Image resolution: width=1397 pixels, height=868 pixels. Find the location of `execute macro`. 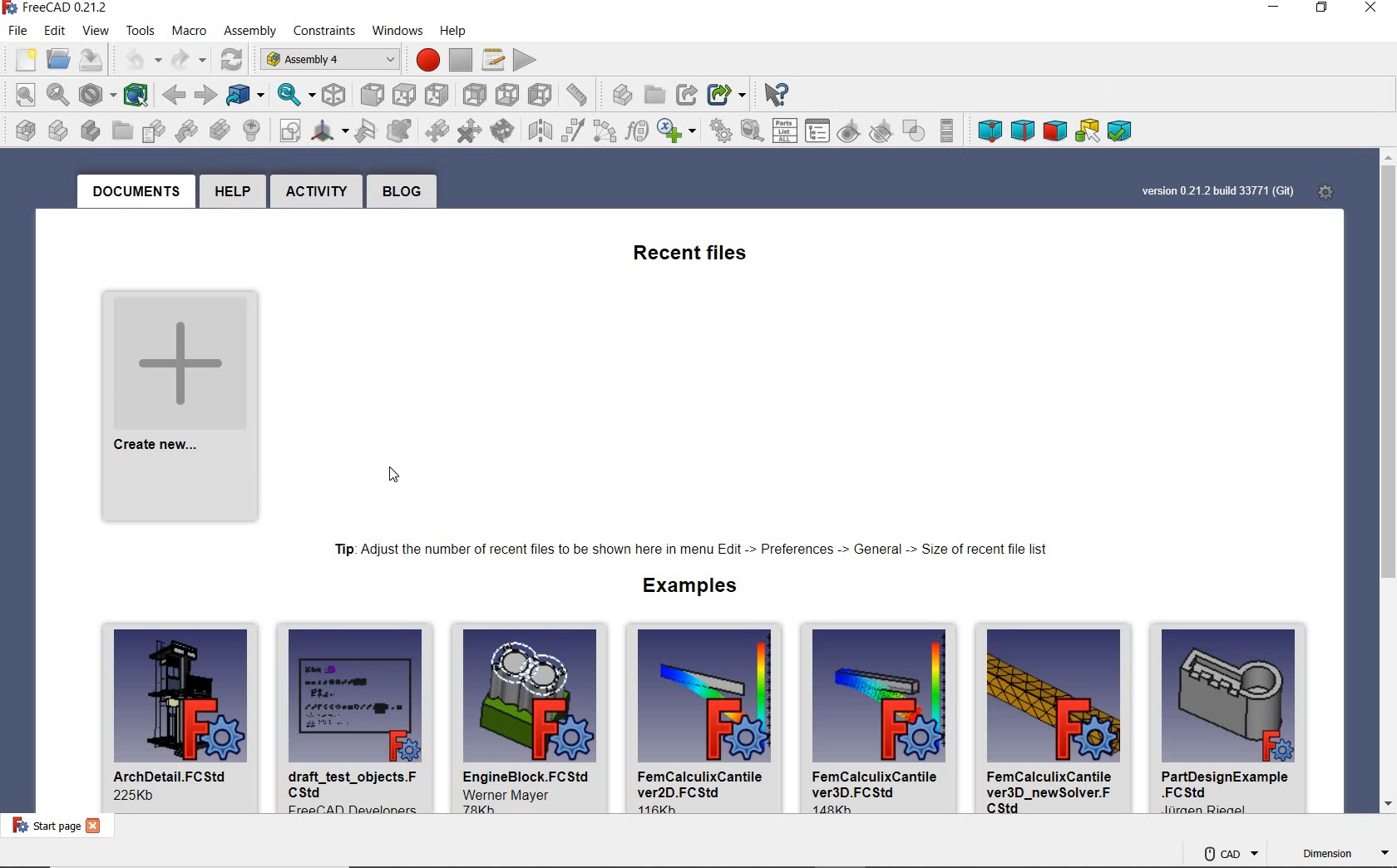

execute macro is located at coordinates (525, 61).